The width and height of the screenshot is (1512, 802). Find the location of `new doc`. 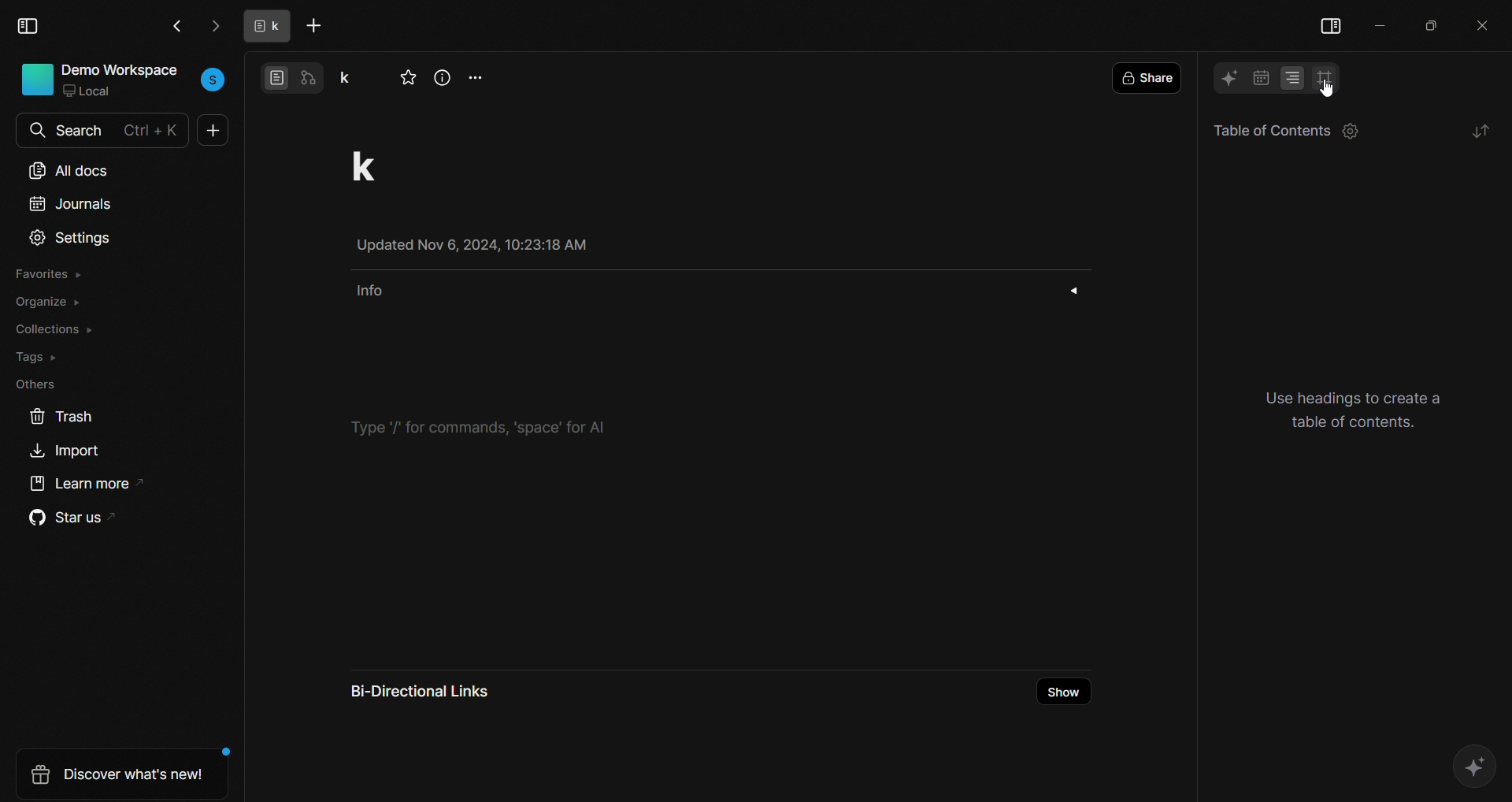

new doc is located at coordinates (214, 133).